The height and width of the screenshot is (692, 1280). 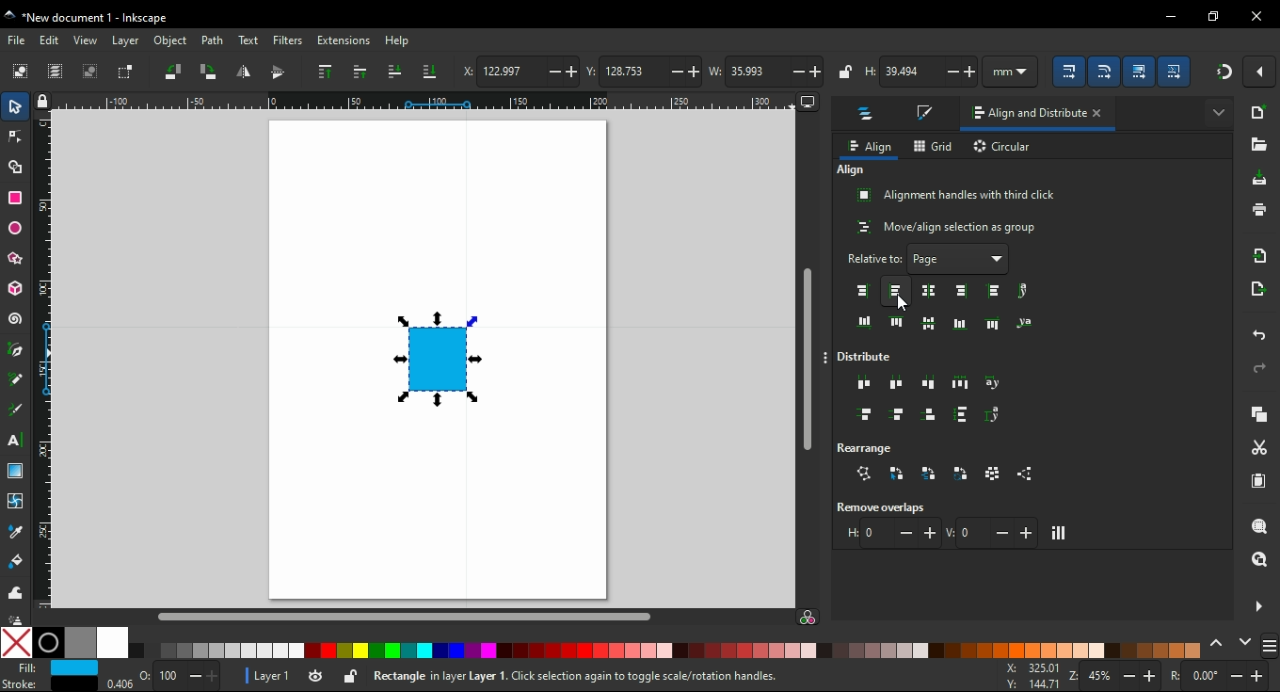 I want to click on layer, so click(x=125, y=41).